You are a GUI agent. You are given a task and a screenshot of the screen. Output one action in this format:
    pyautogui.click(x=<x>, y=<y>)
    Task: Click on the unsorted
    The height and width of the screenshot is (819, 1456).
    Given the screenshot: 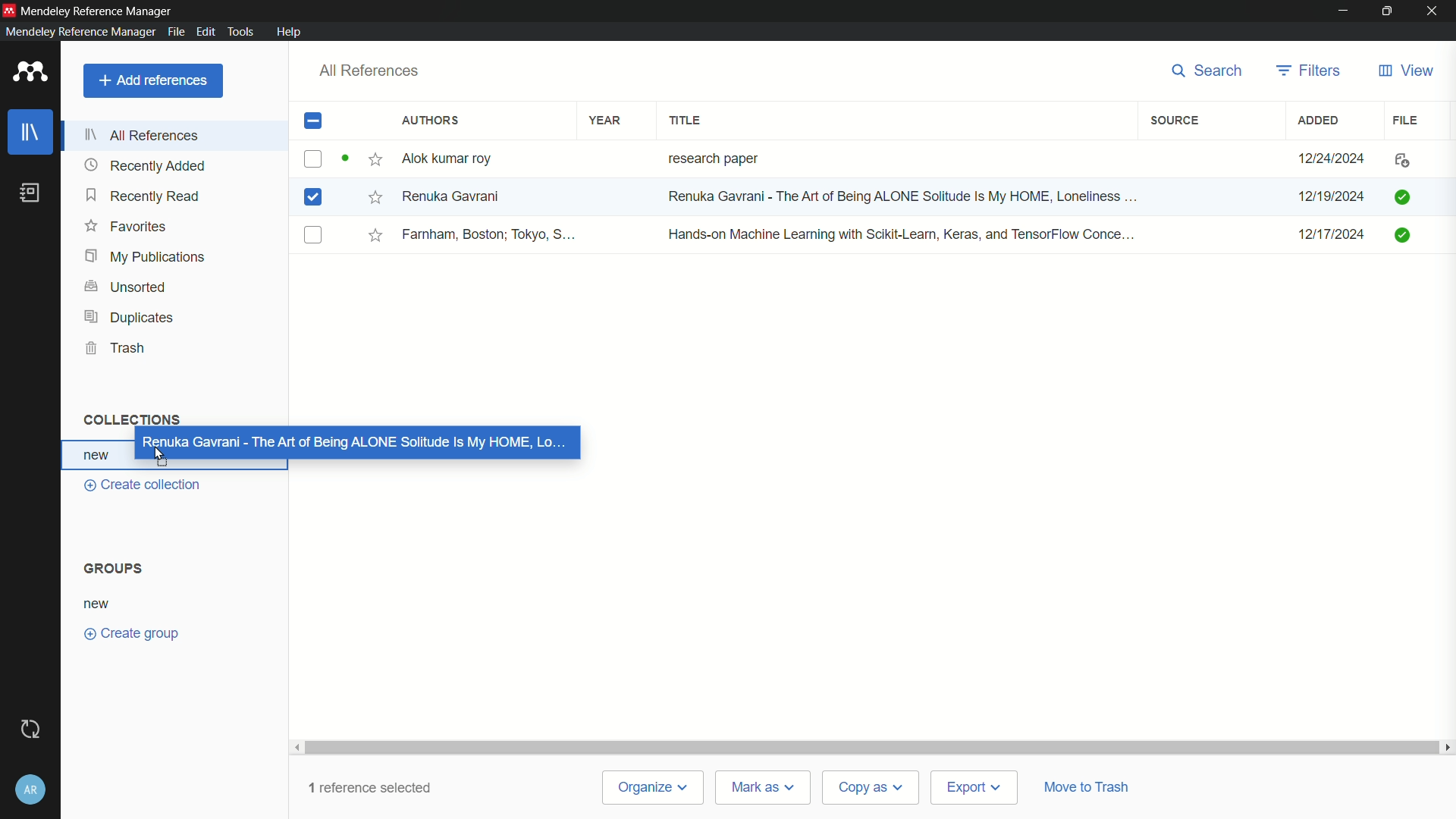 What is the action you would take?
    pyautogui.click(x=128, y=287)
    